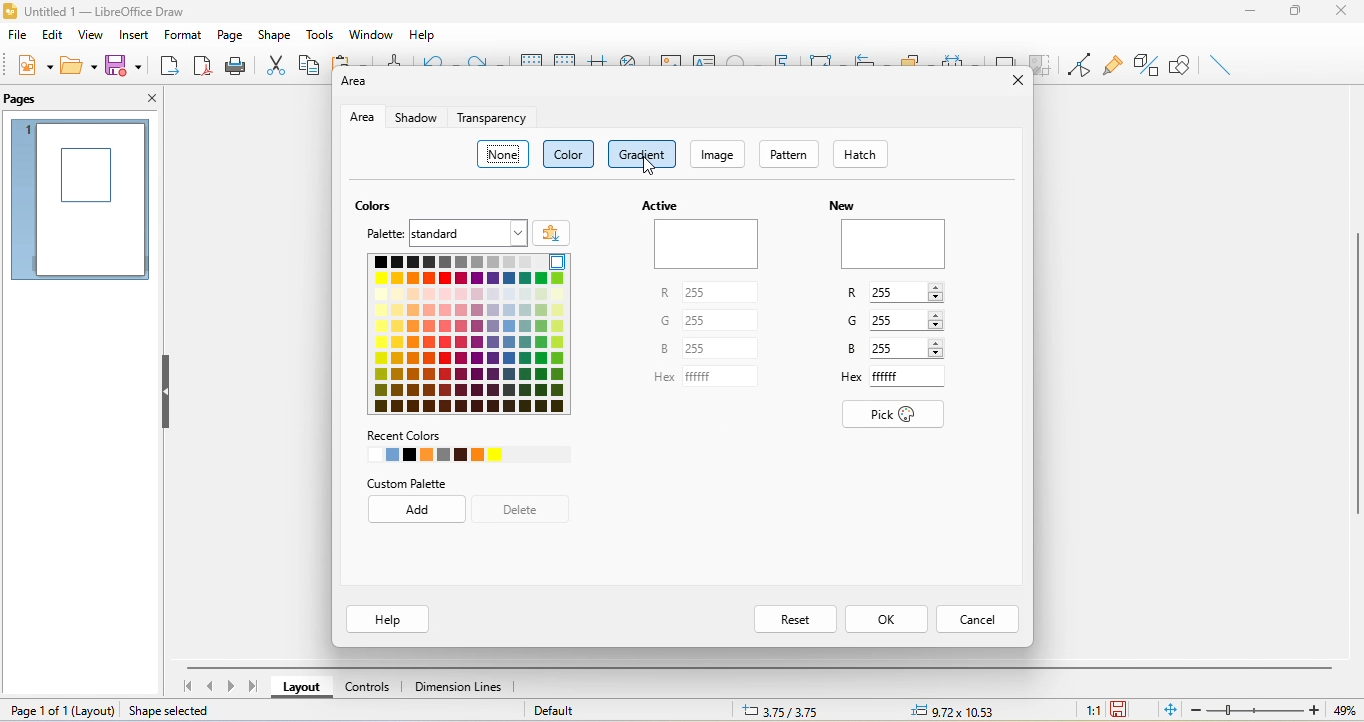  I want to click on 255, so click(722, 294).